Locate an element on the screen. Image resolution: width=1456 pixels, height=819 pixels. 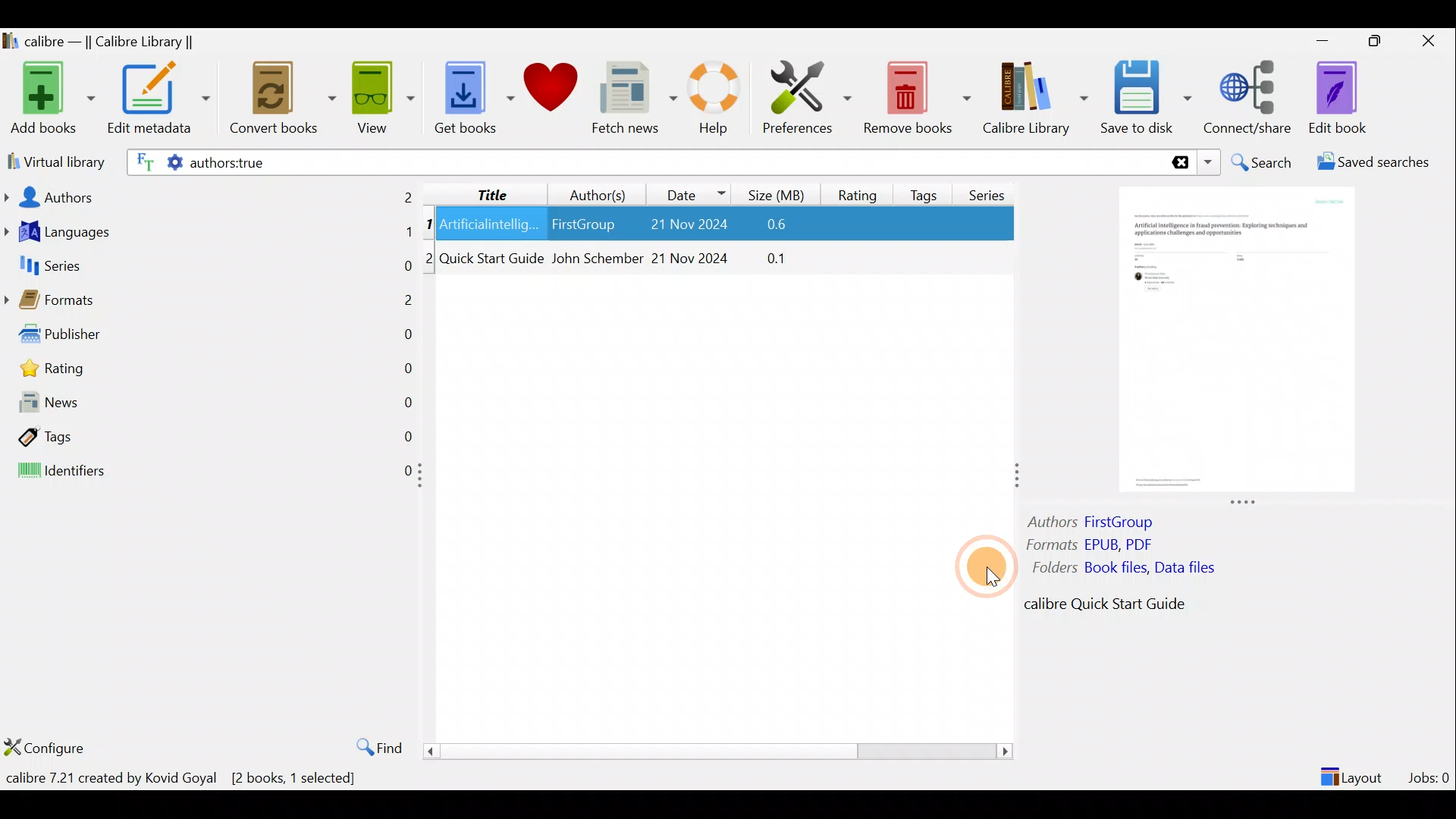
Series is located at coordinates (992, 190).